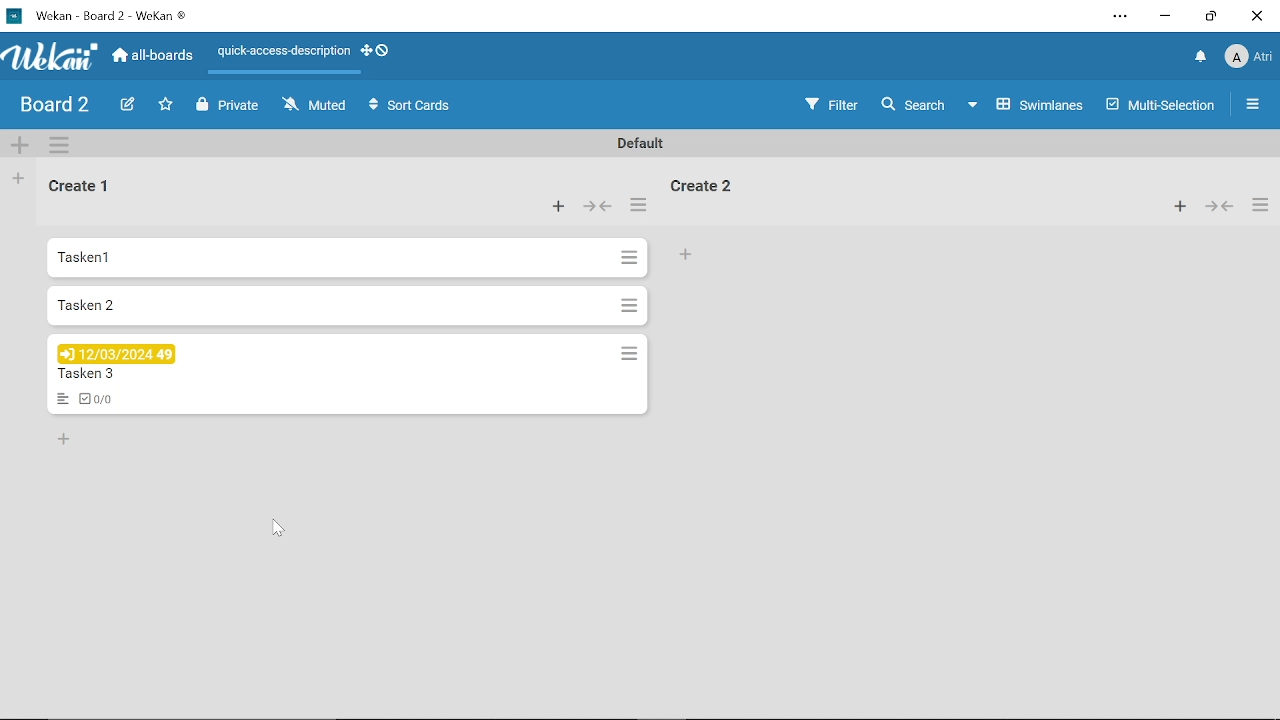 Image resolution: width=1280 pixels, height=720 pixels. I want to click on Back/Forward, so click(1220, 207).